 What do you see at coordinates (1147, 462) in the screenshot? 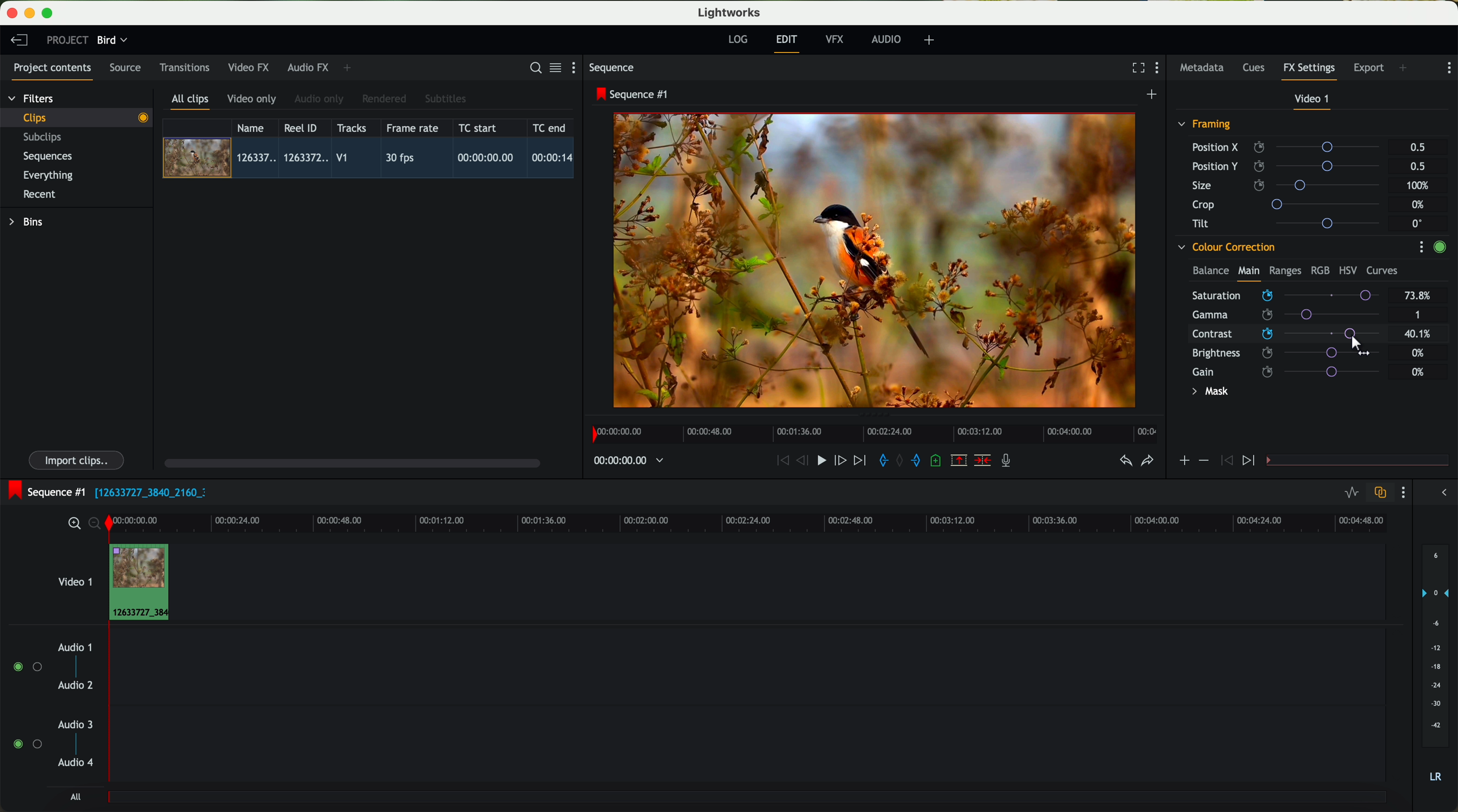
I see `redo` at bounding box center [1147, 462].